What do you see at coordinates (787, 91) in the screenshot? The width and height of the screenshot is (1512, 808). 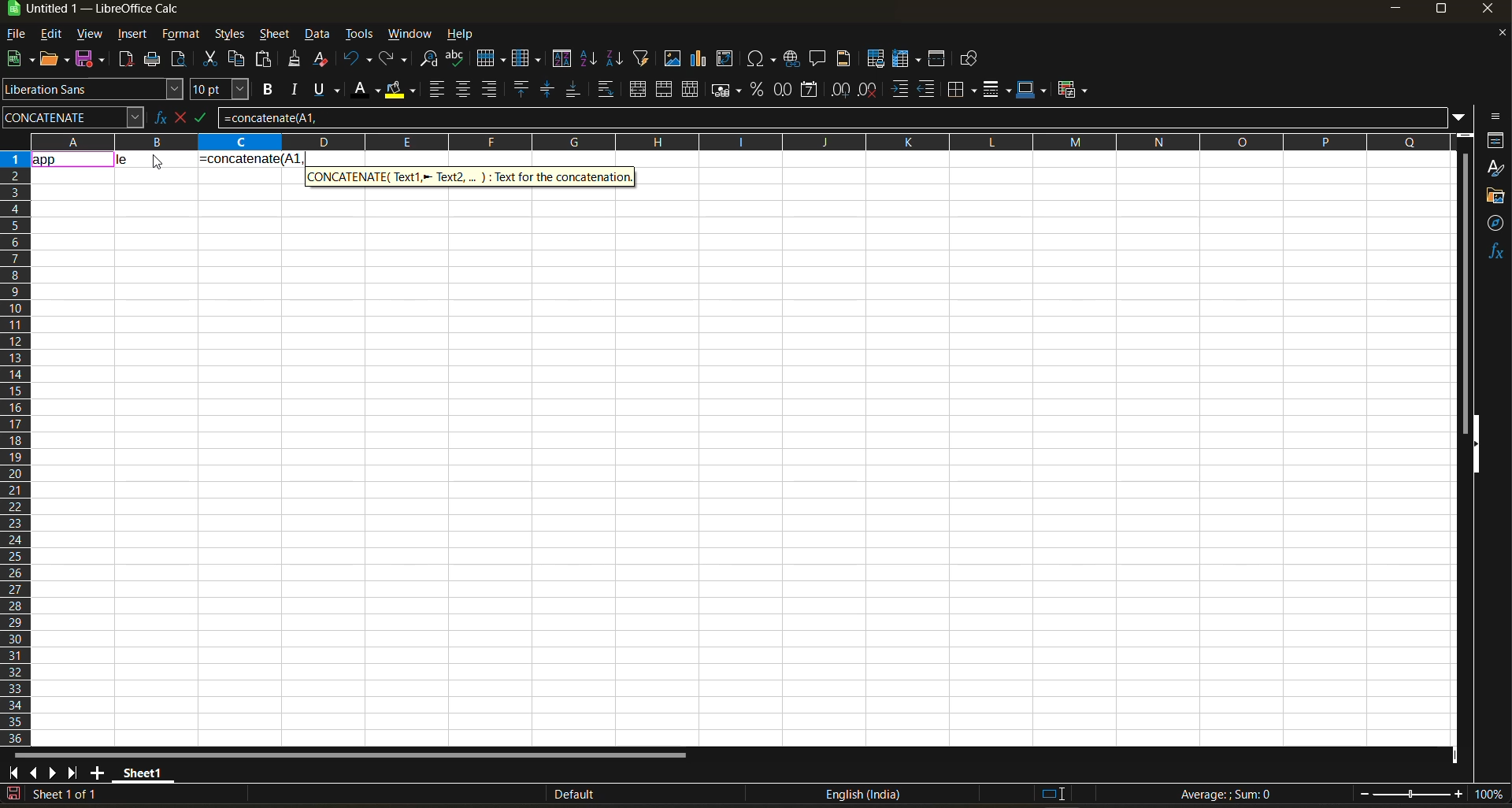 I see `format as number` at bounding box center [787, 91].